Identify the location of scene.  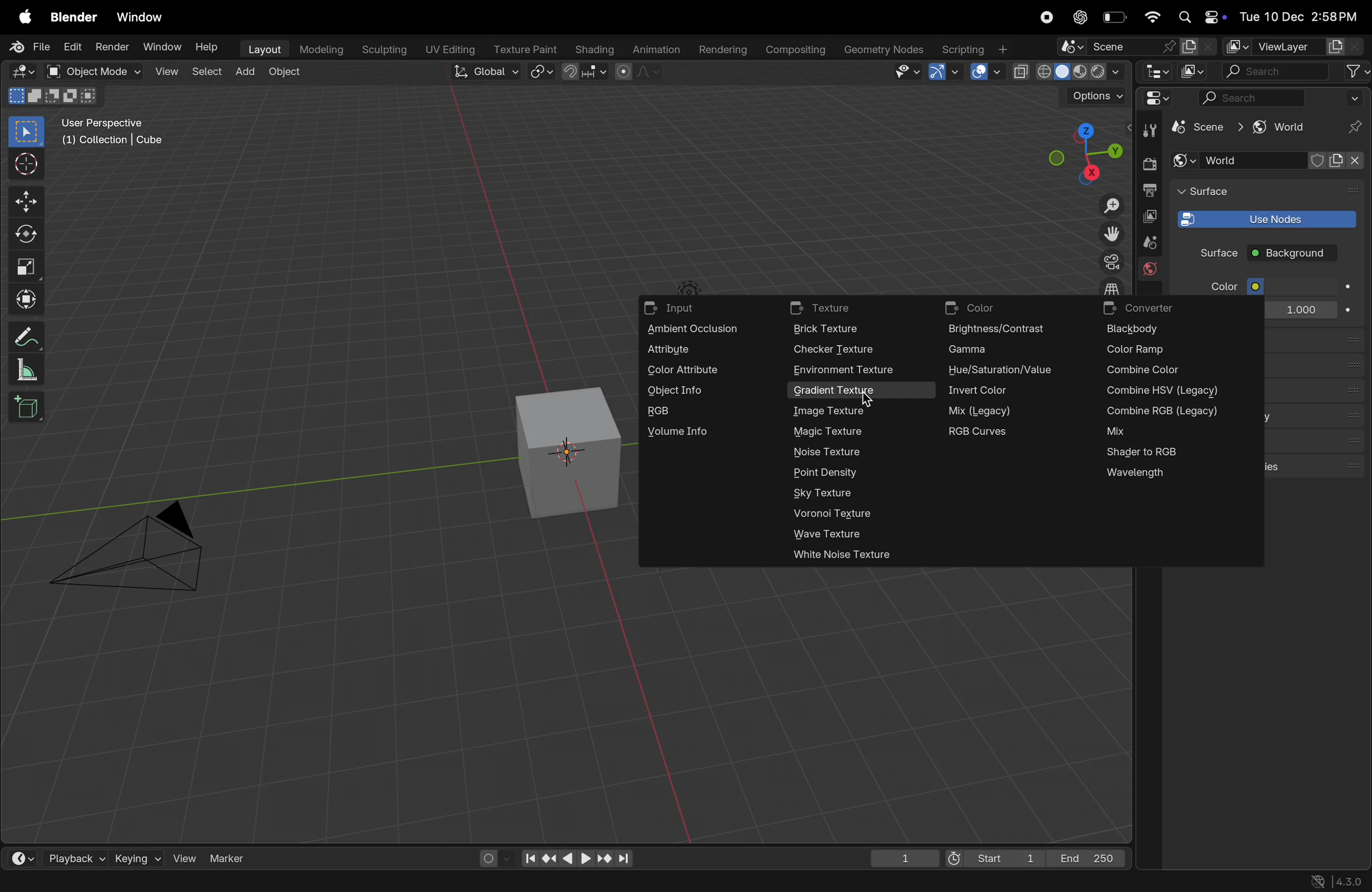
(1134, 48).